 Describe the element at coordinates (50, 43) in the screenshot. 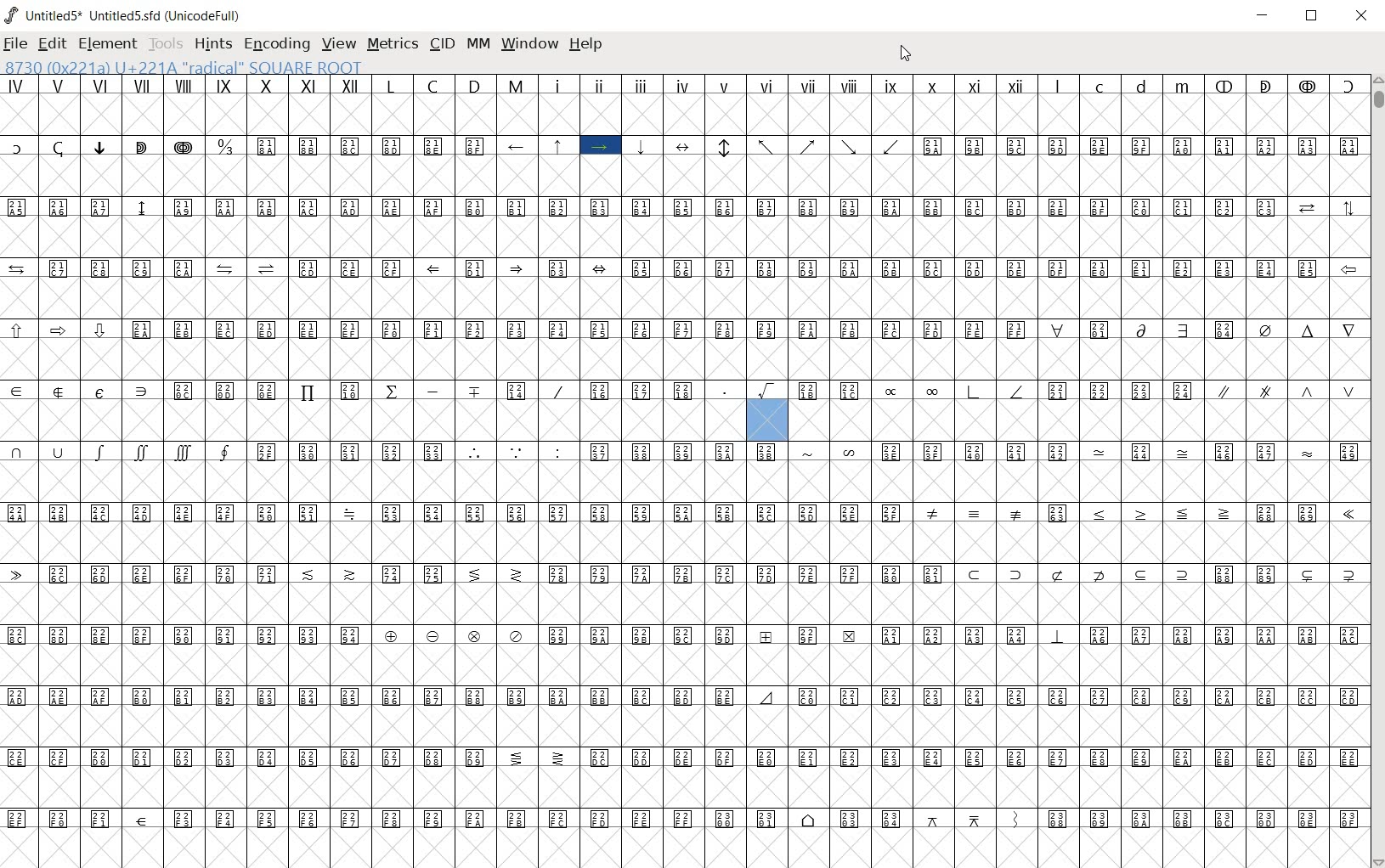

I see `EDIT` at that location.